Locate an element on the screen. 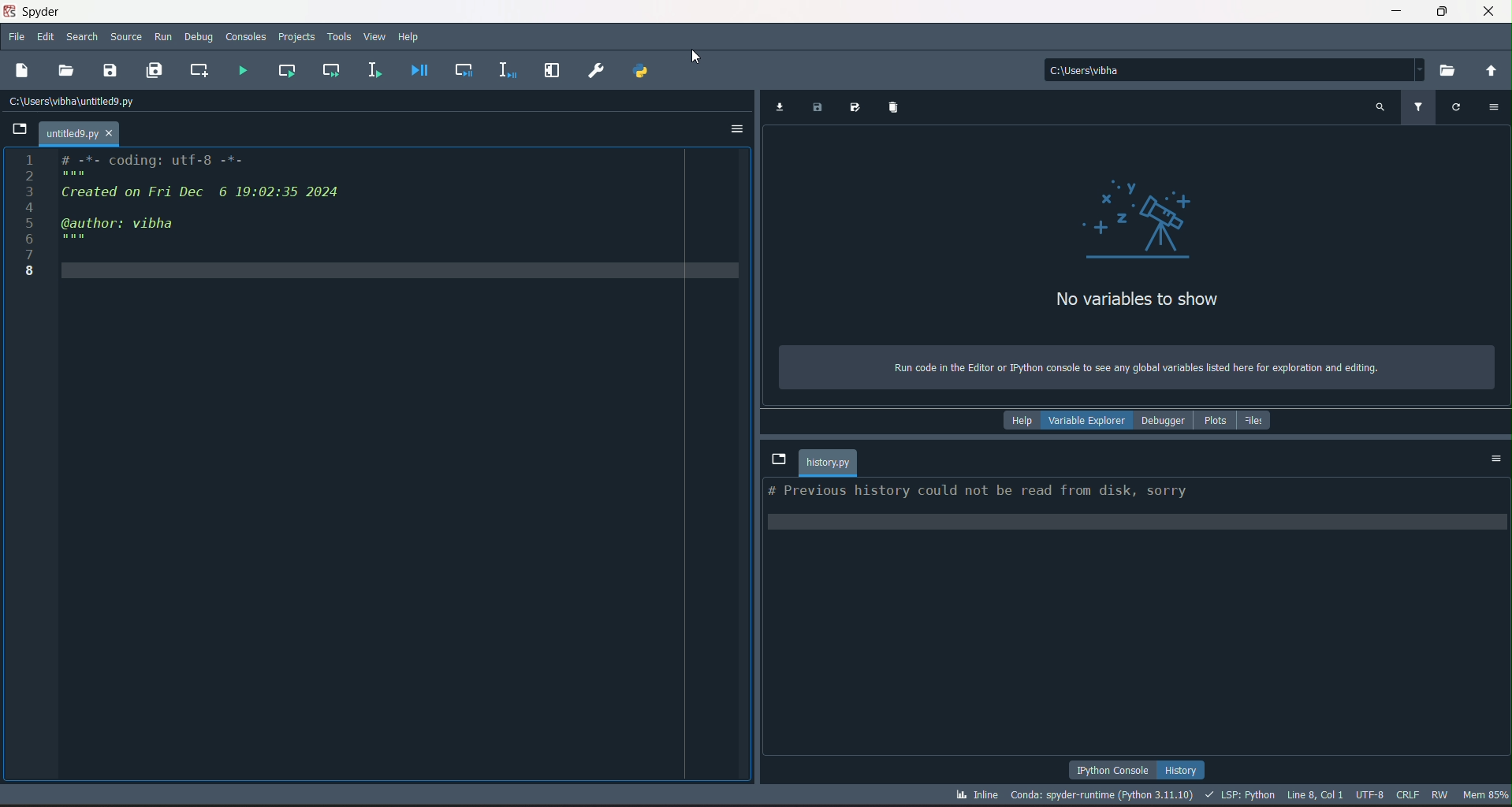 Image resolution: width=1512 pixels, height=807 pixels. run current cell is located at coordinates (287, 71).